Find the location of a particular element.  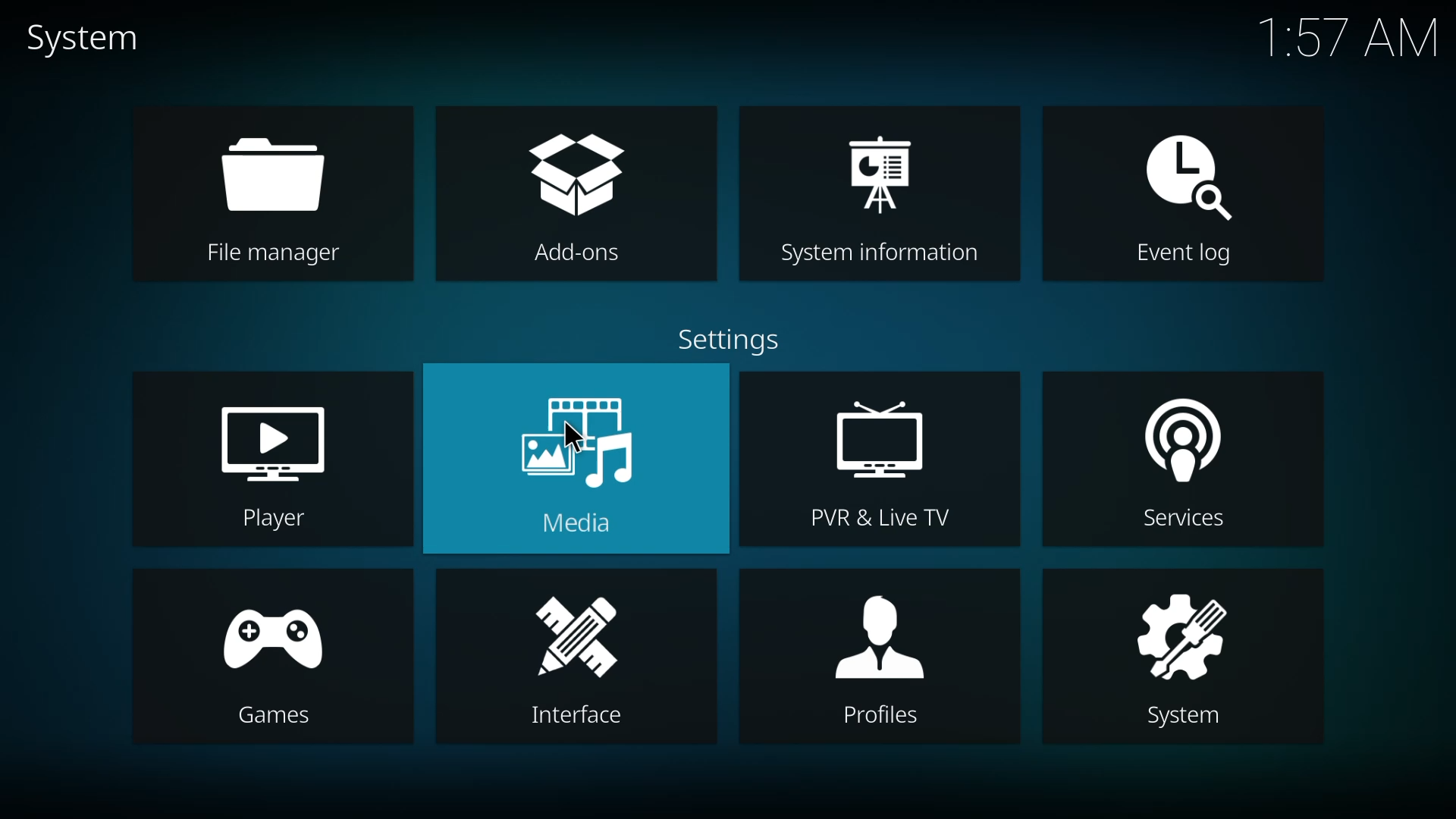

pvr & live tv is located at coordinates (884, 461).